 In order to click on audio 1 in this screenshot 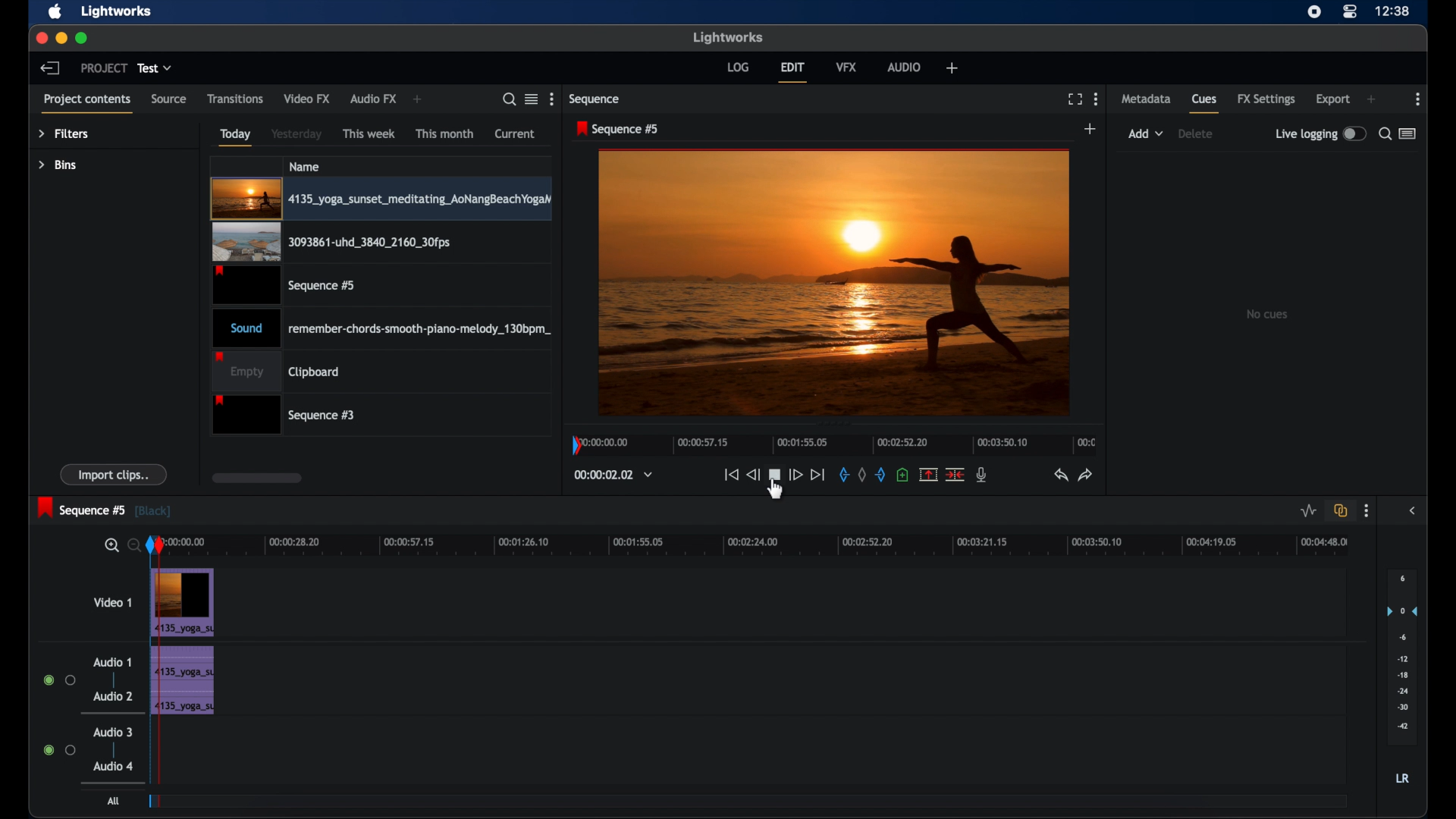, I will do `click(111, 663)`.